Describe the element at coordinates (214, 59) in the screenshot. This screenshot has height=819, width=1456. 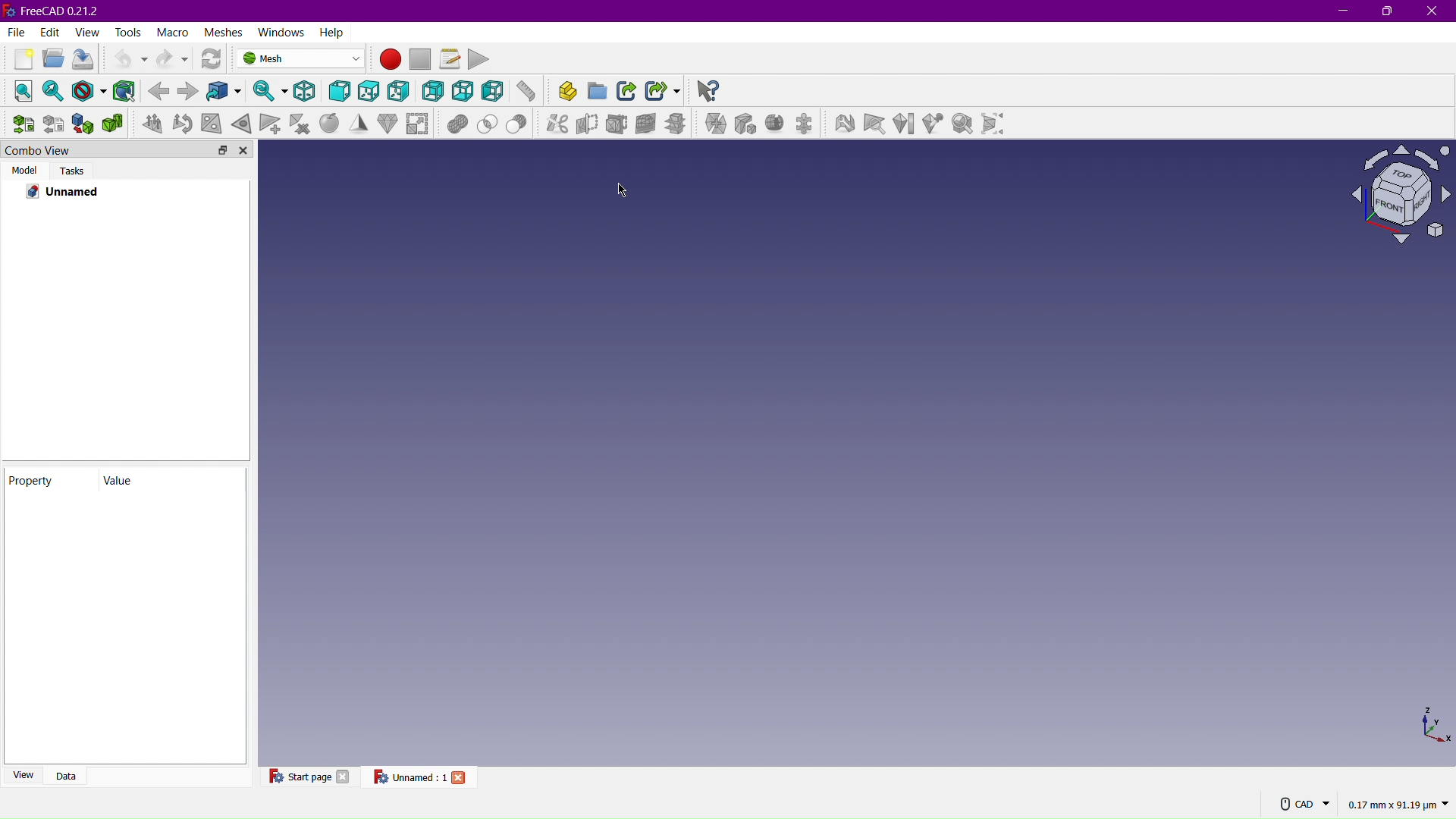
I see `Refresh` at that location.